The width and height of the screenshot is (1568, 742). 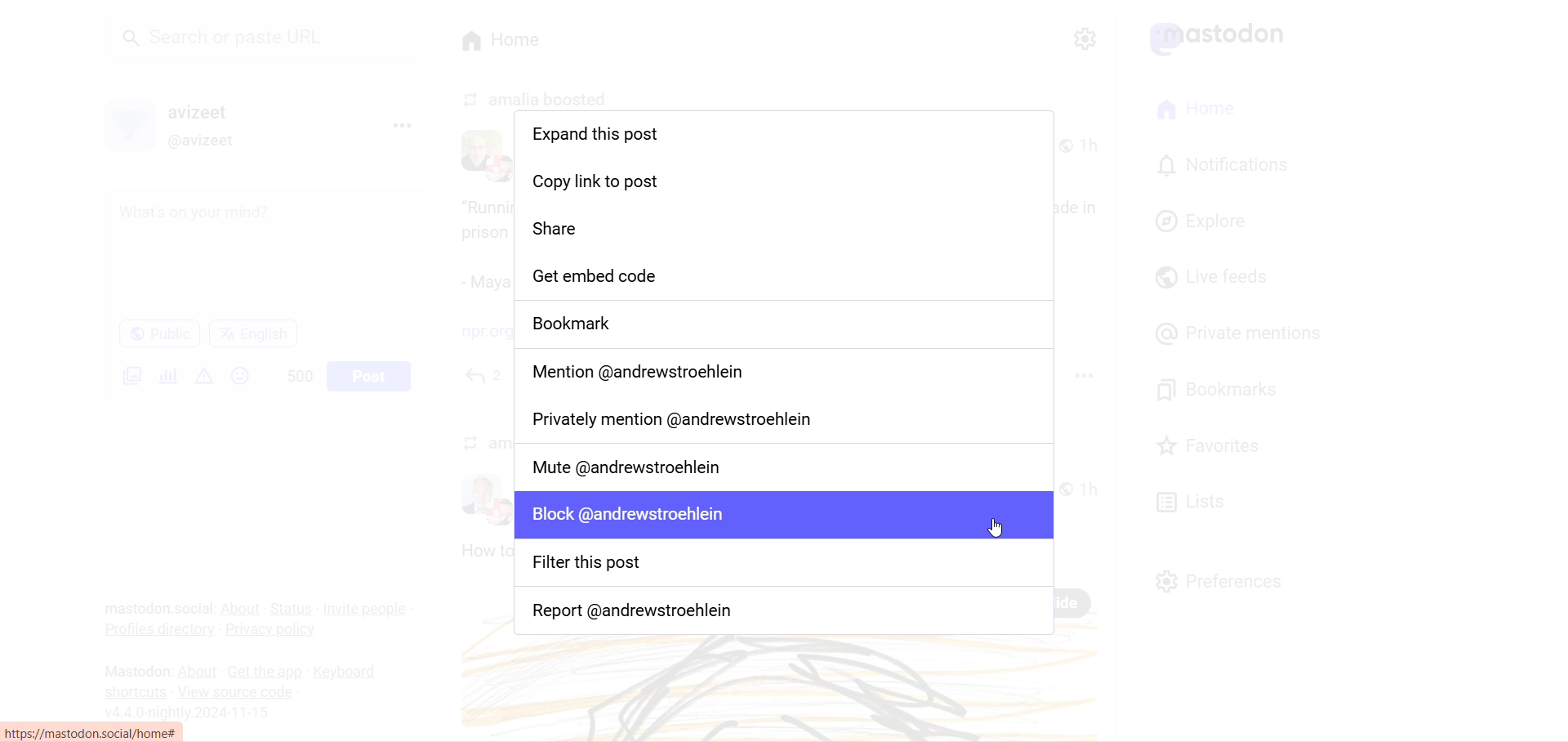 I want to click on Copy Link to Post, so click(x=781, y=180).